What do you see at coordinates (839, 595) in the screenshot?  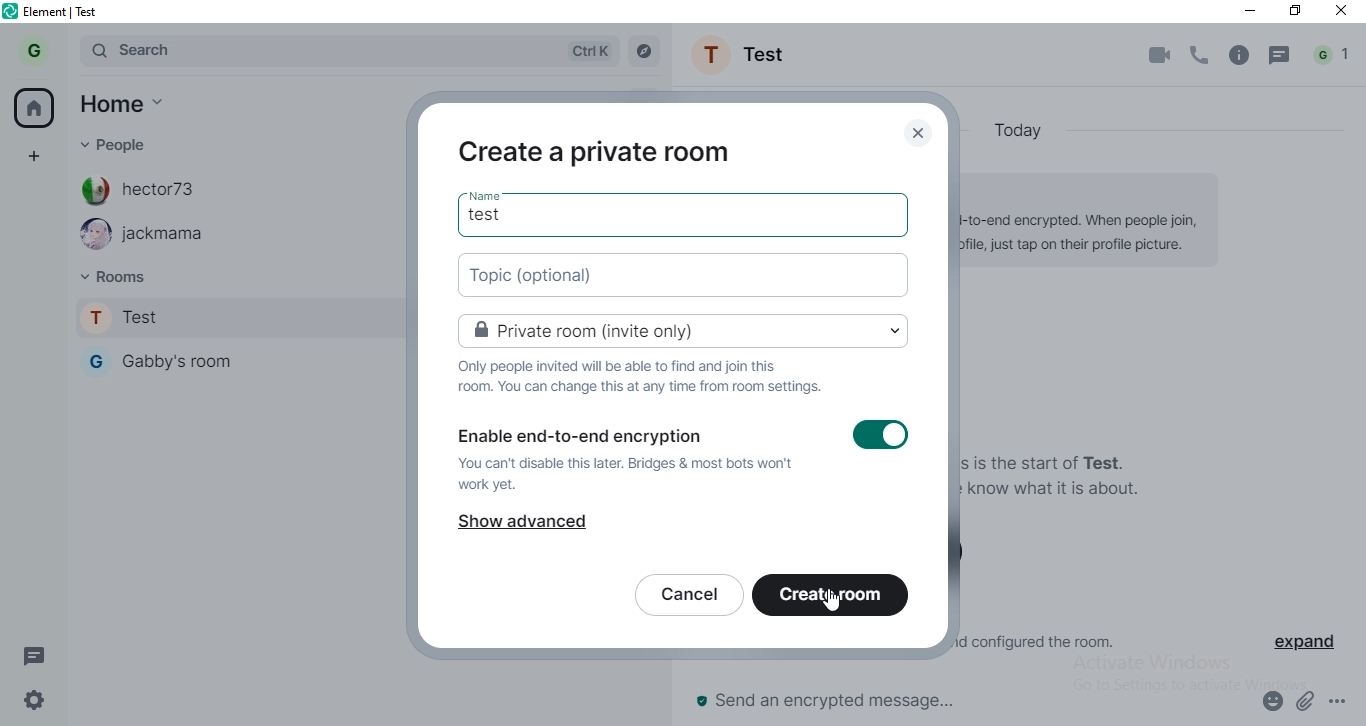 I see `create room` at bounding box center [839, 595].